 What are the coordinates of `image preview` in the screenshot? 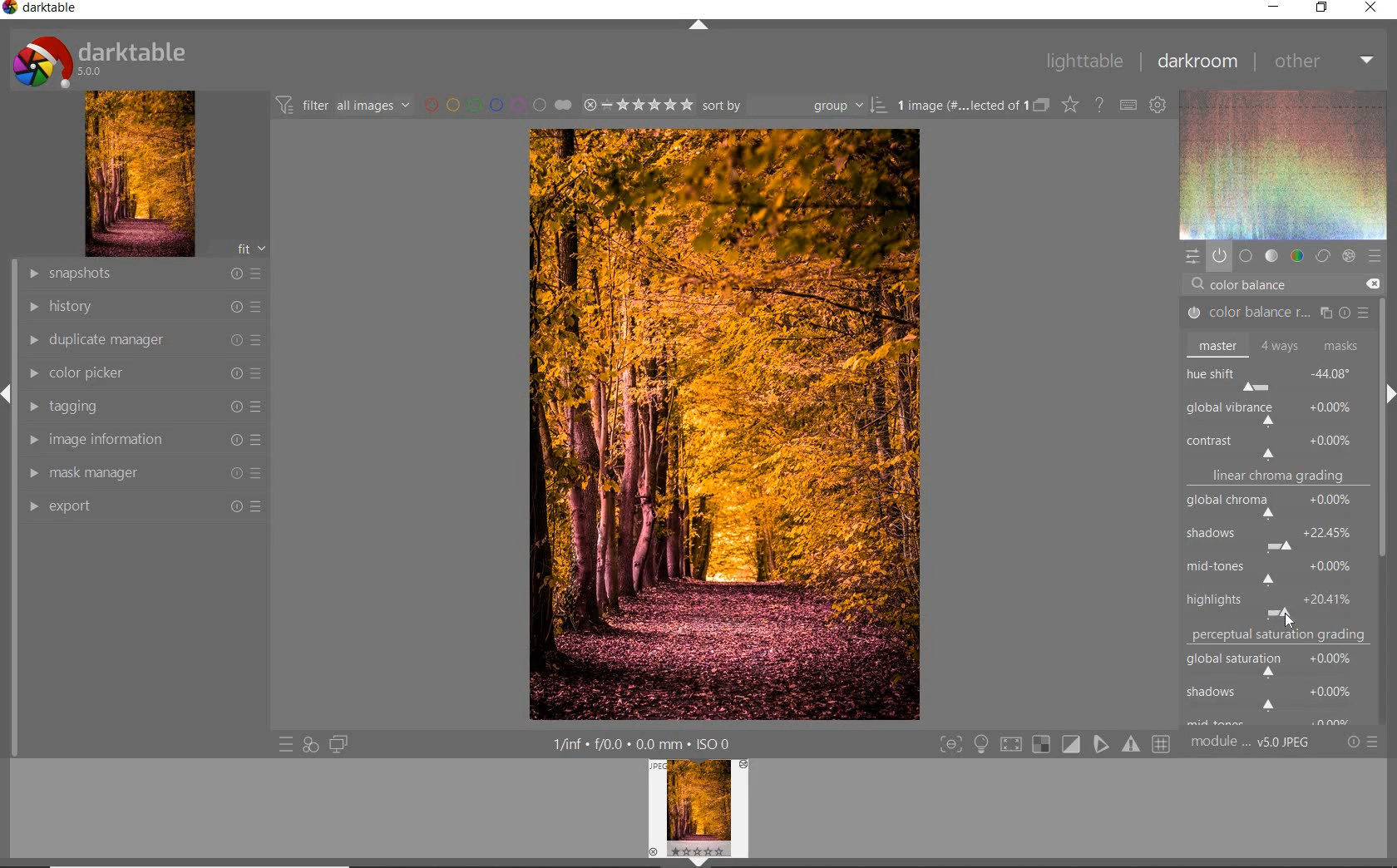 It's located at (698, 814).